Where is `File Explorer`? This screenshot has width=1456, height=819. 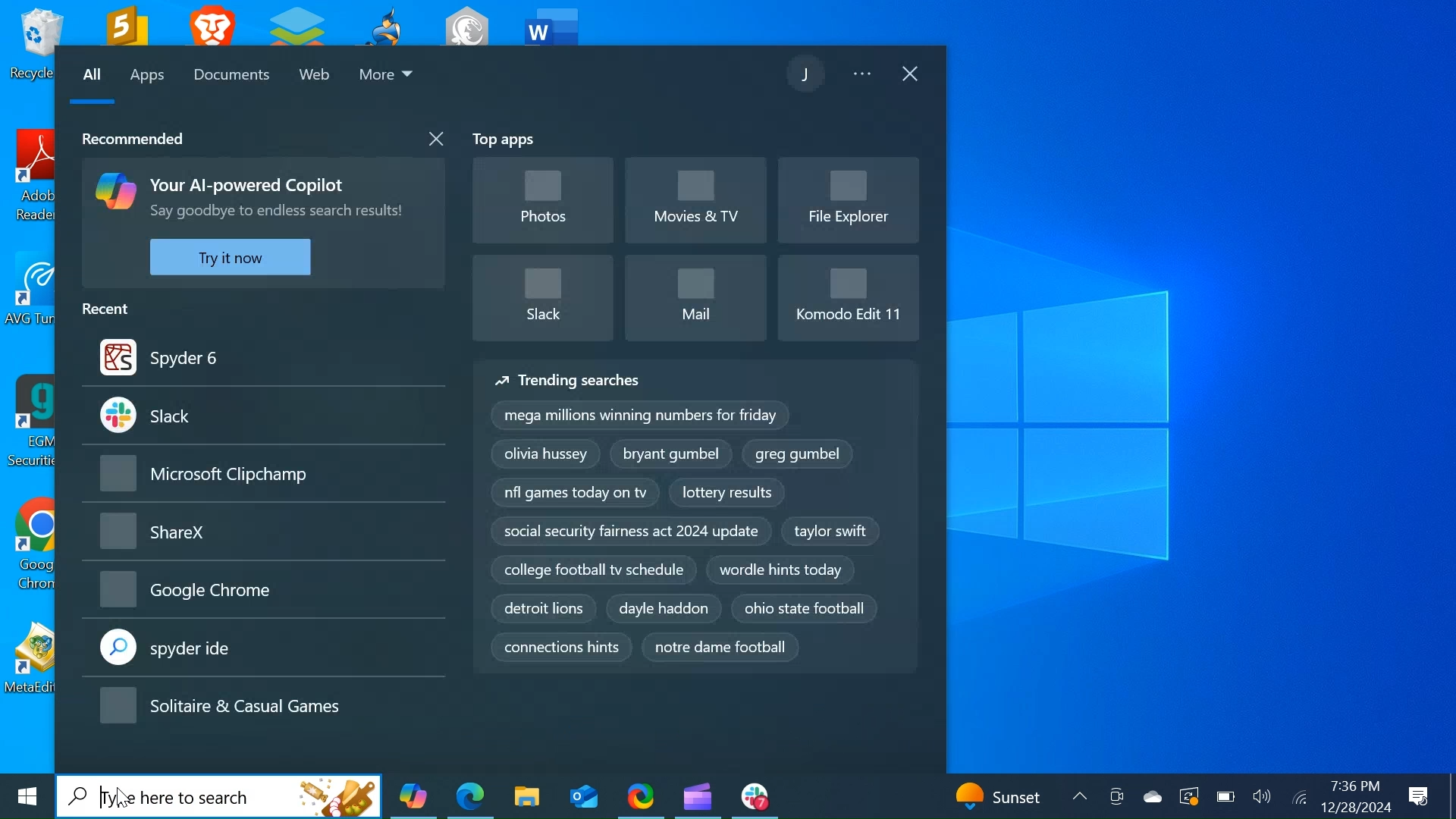
File Explorer is located at coordinates (526, 796).